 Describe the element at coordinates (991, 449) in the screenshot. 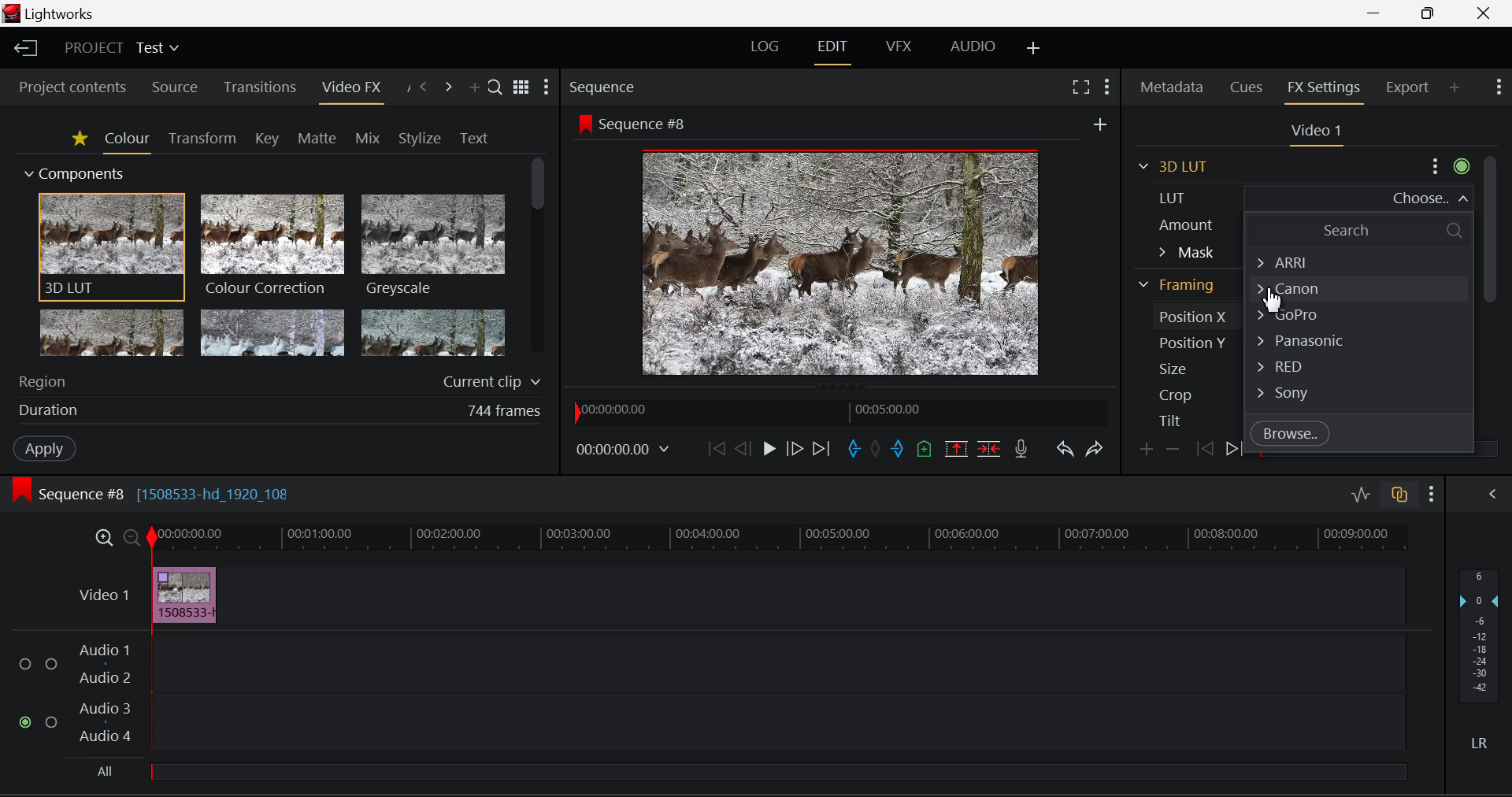

I see `Delete/Cut` at that location.